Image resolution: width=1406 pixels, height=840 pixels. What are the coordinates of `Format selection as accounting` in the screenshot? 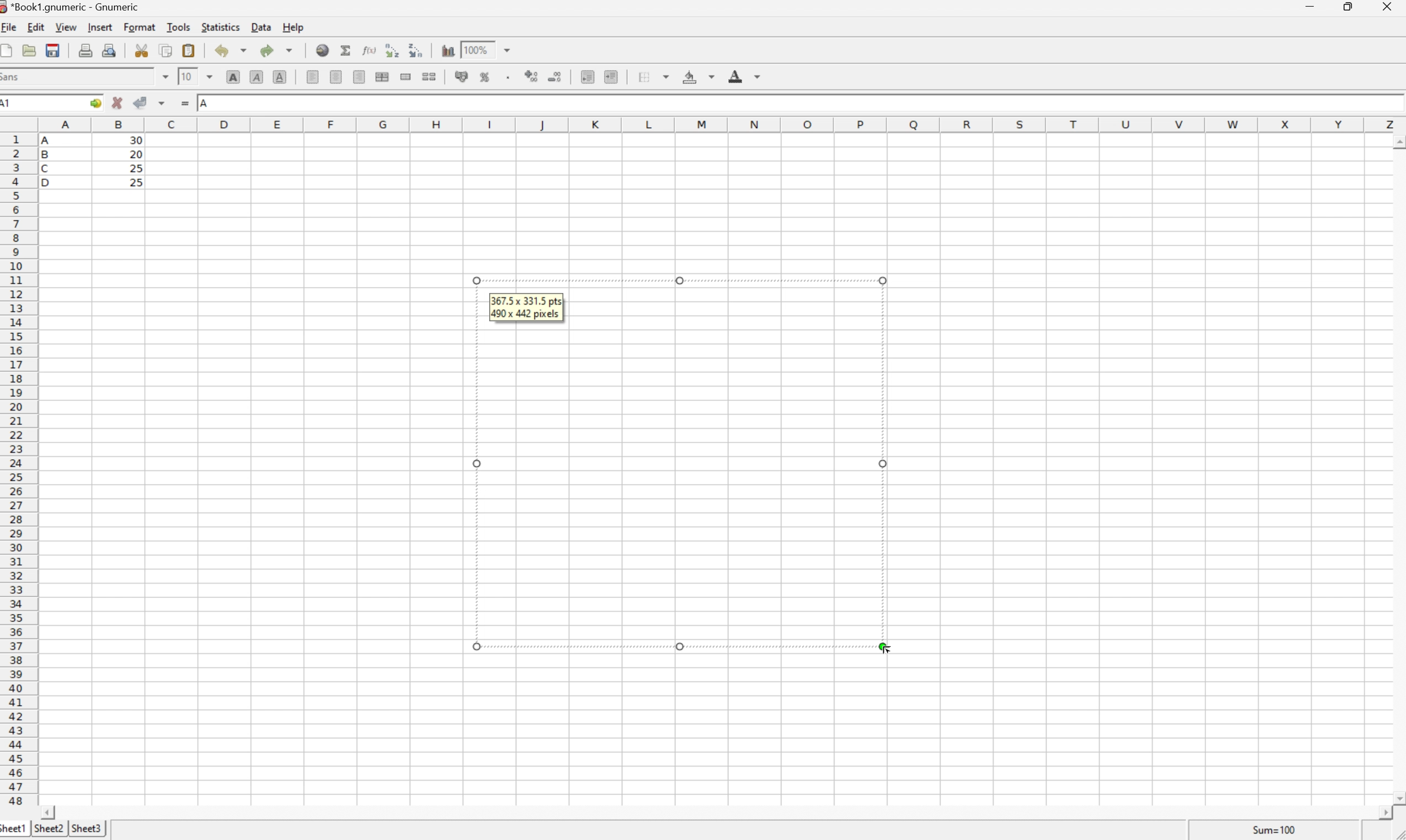 It's located at (462, 76).